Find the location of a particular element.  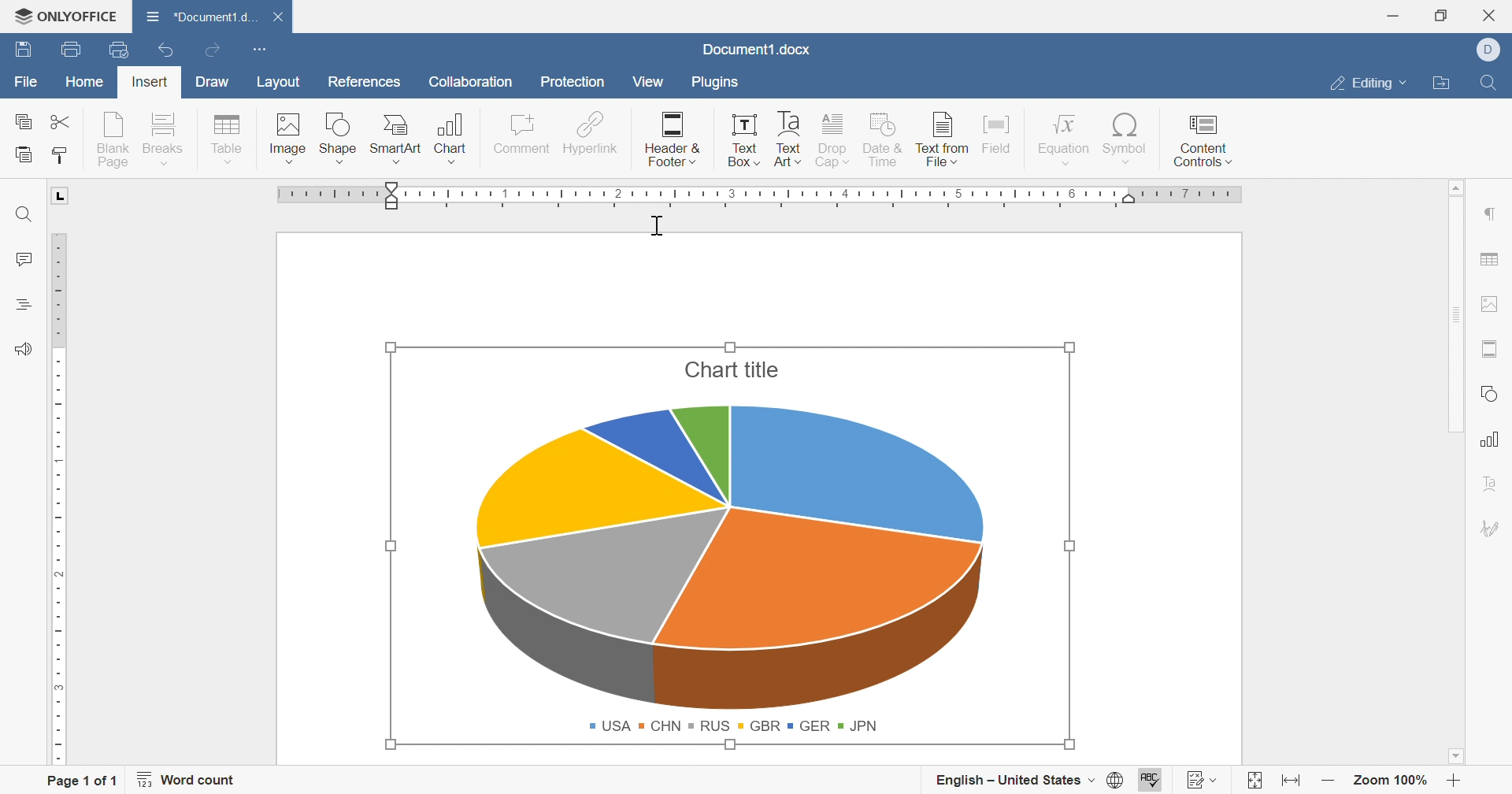

Layout is located at coordinates (278, 81).